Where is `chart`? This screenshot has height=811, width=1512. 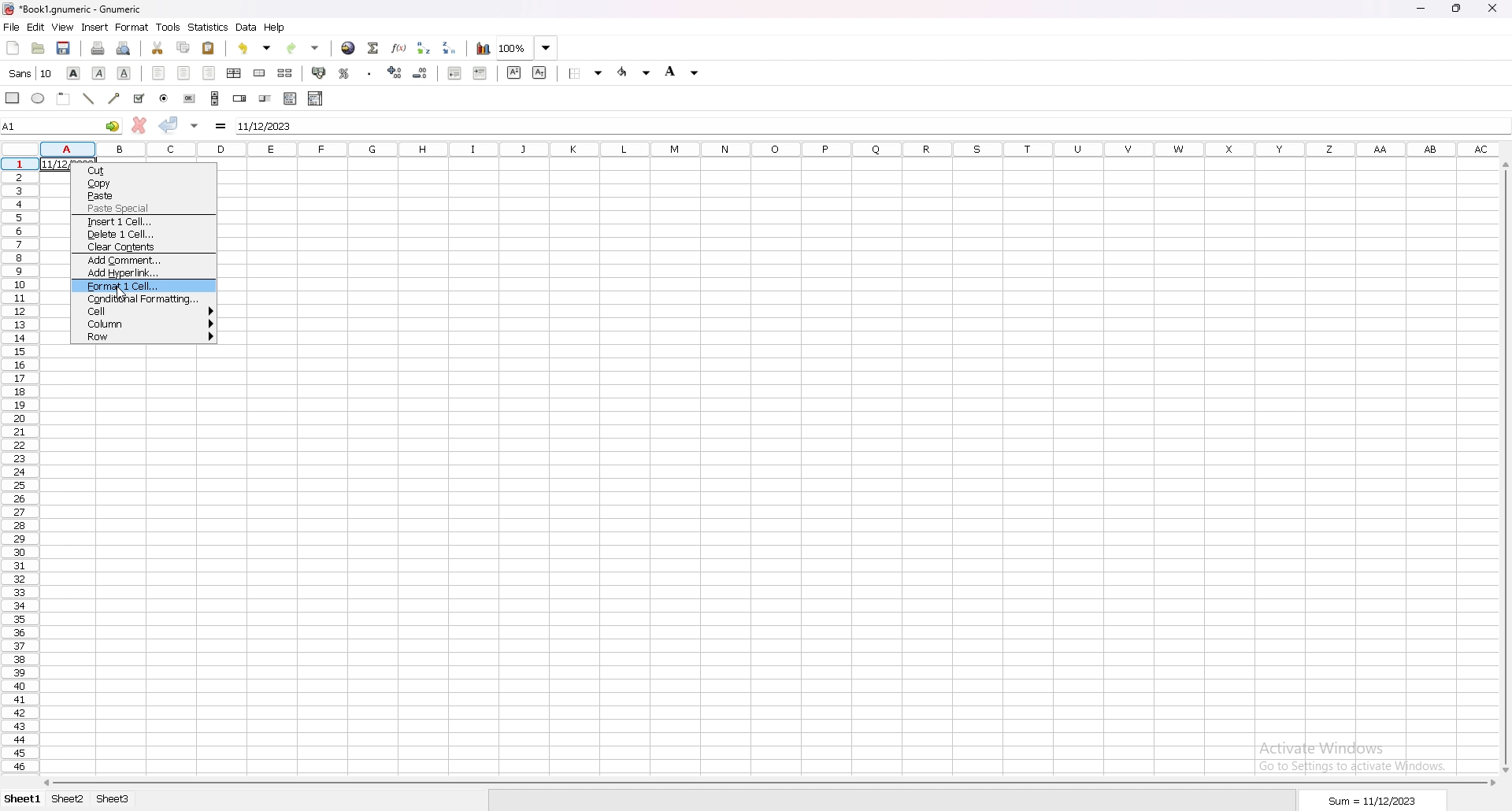 chart is located at coordinates (484, 49).